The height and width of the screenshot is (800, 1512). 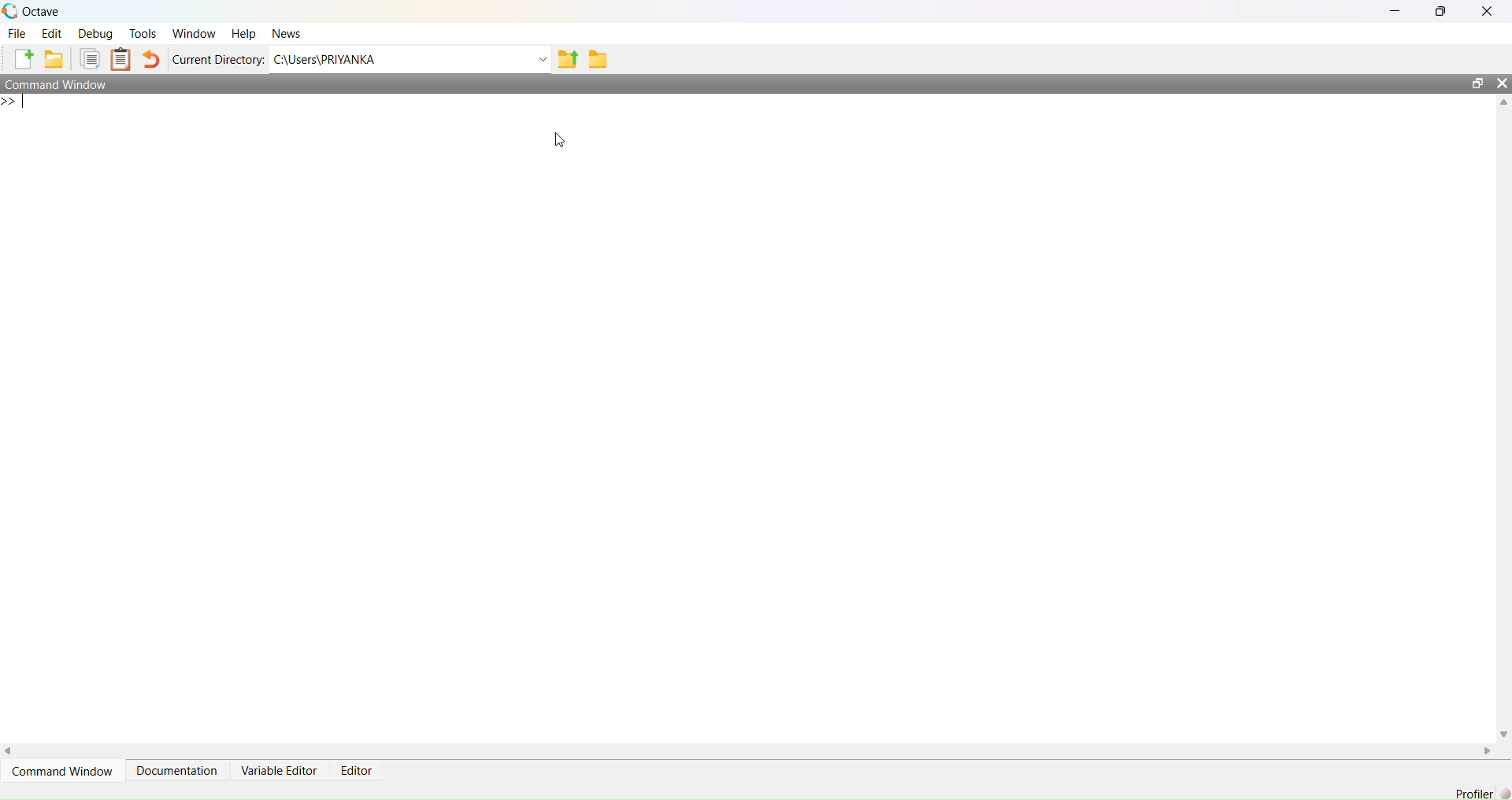 What do you see at coordinates (1502, 83) in the screenshot?
I see `Hide Widget` at bounding box center [1502, 83].